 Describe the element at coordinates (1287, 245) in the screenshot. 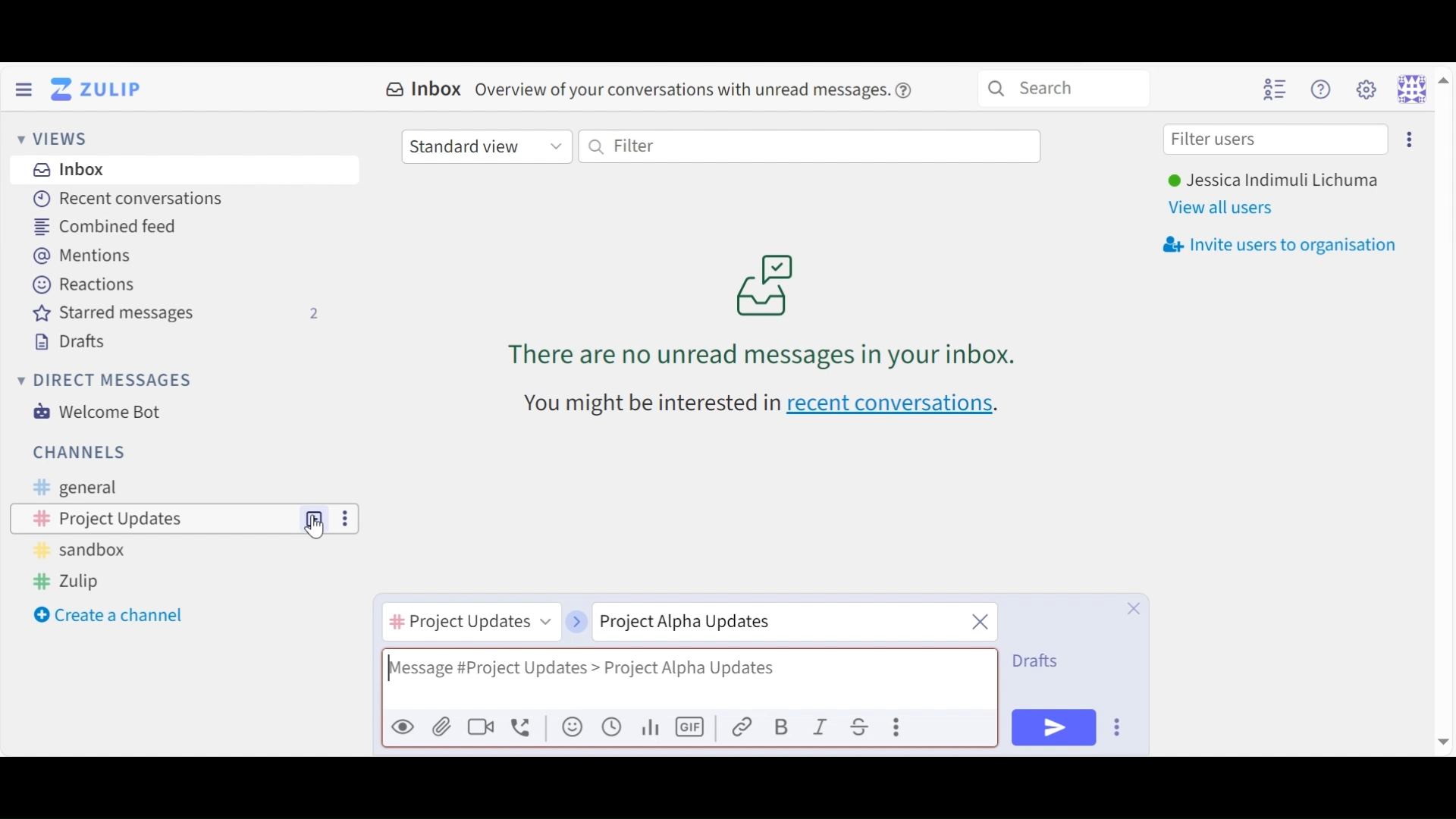

I see `Invite users to oragnisation` at that location.